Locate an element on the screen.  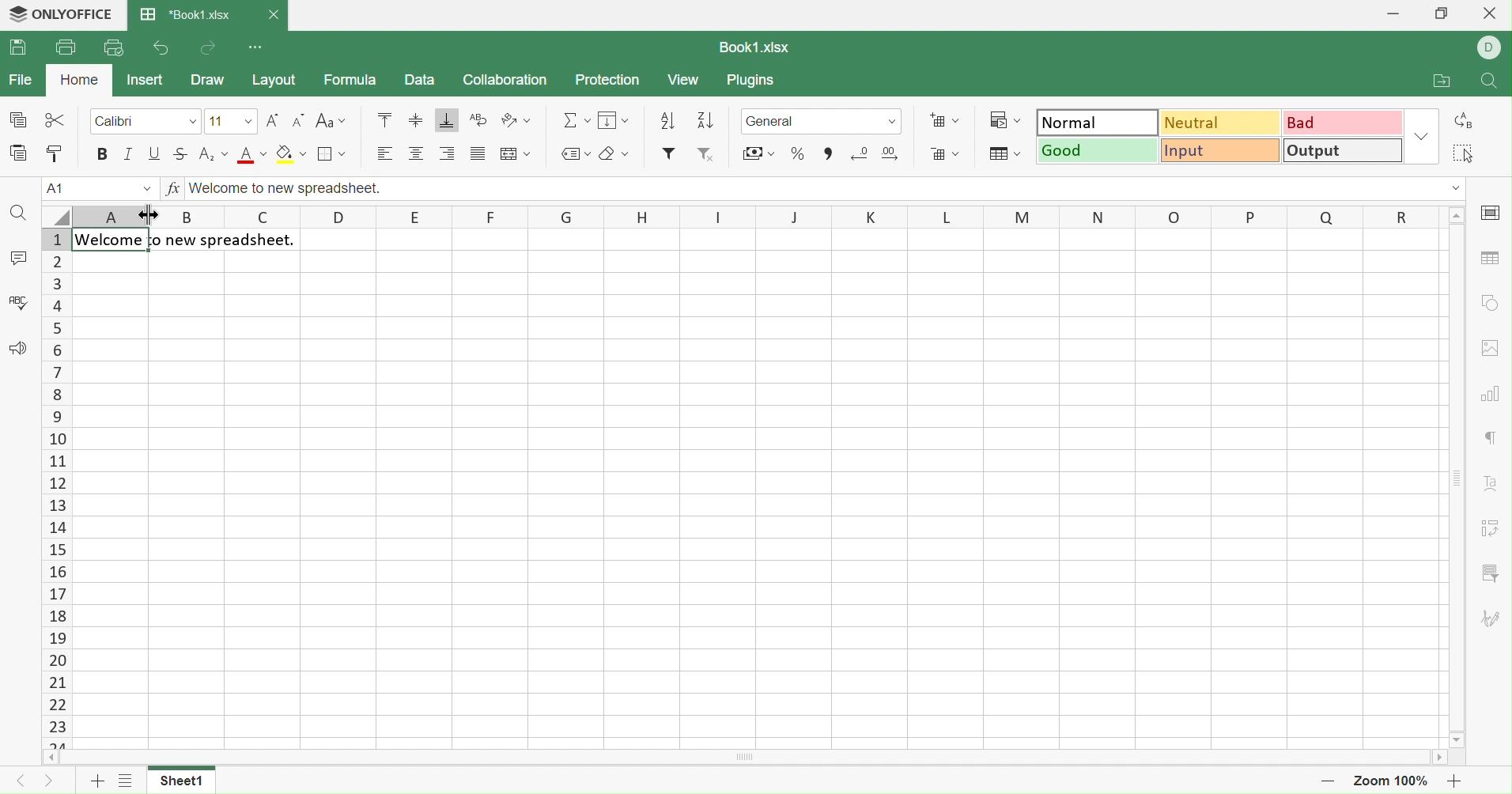
List of sheets is located at coordinates (125, 783).